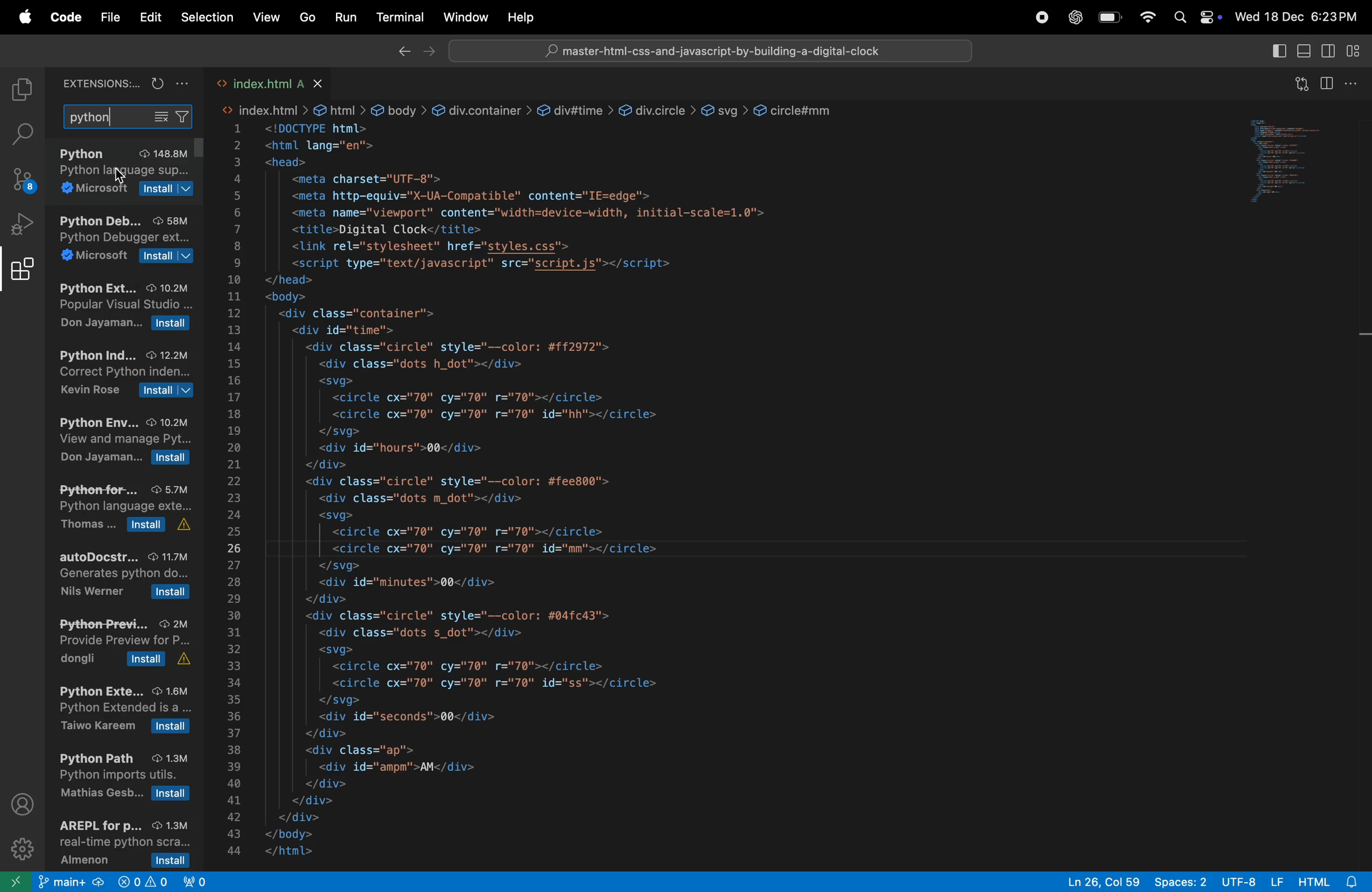 This screenshot has height=892, width=1372. What do you see at coordinates (398, 52) in the screenshot?
I see `backward` at bounding box center [398, 52].